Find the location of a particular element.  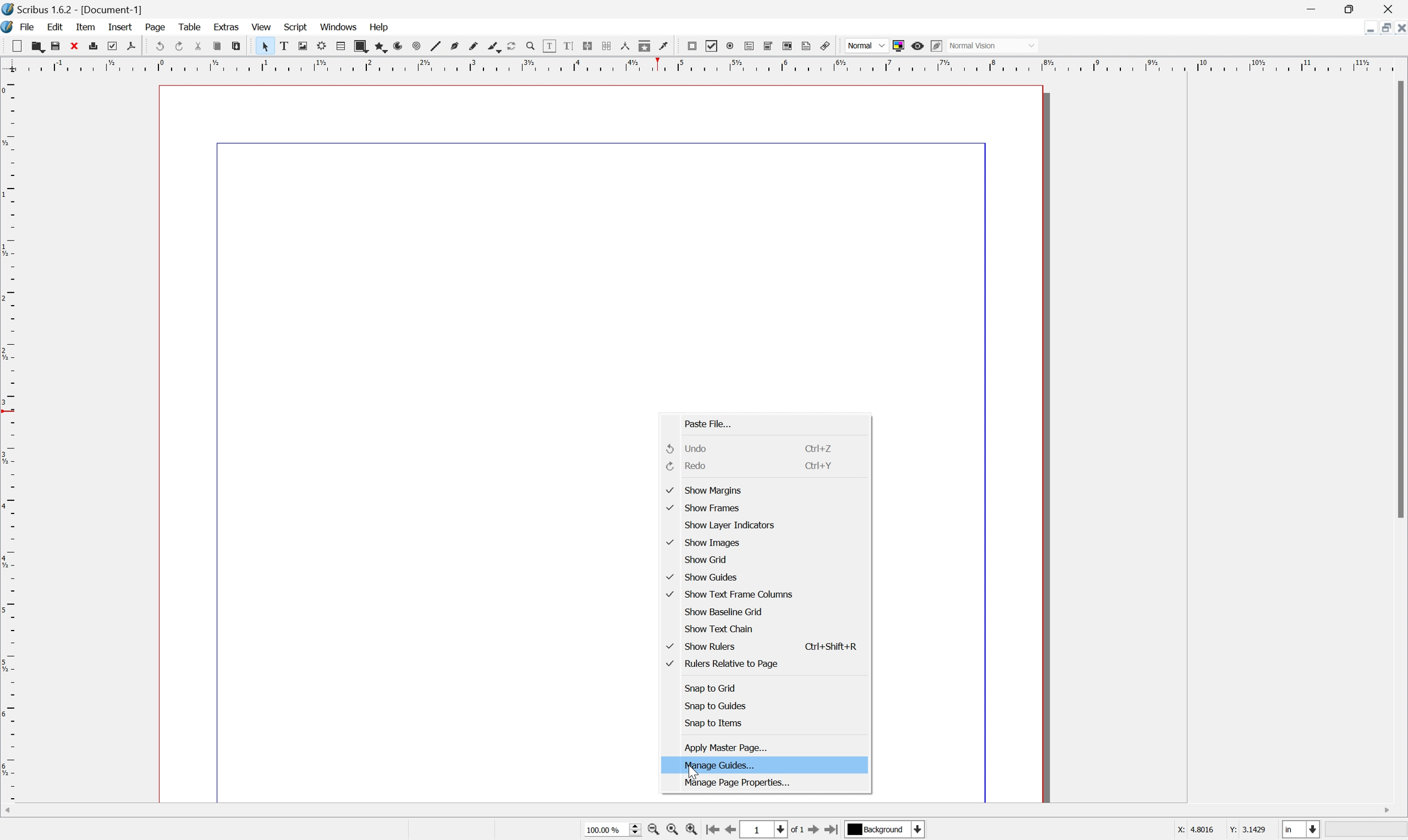

zoom to 100% is located at coordinates (652, 830).